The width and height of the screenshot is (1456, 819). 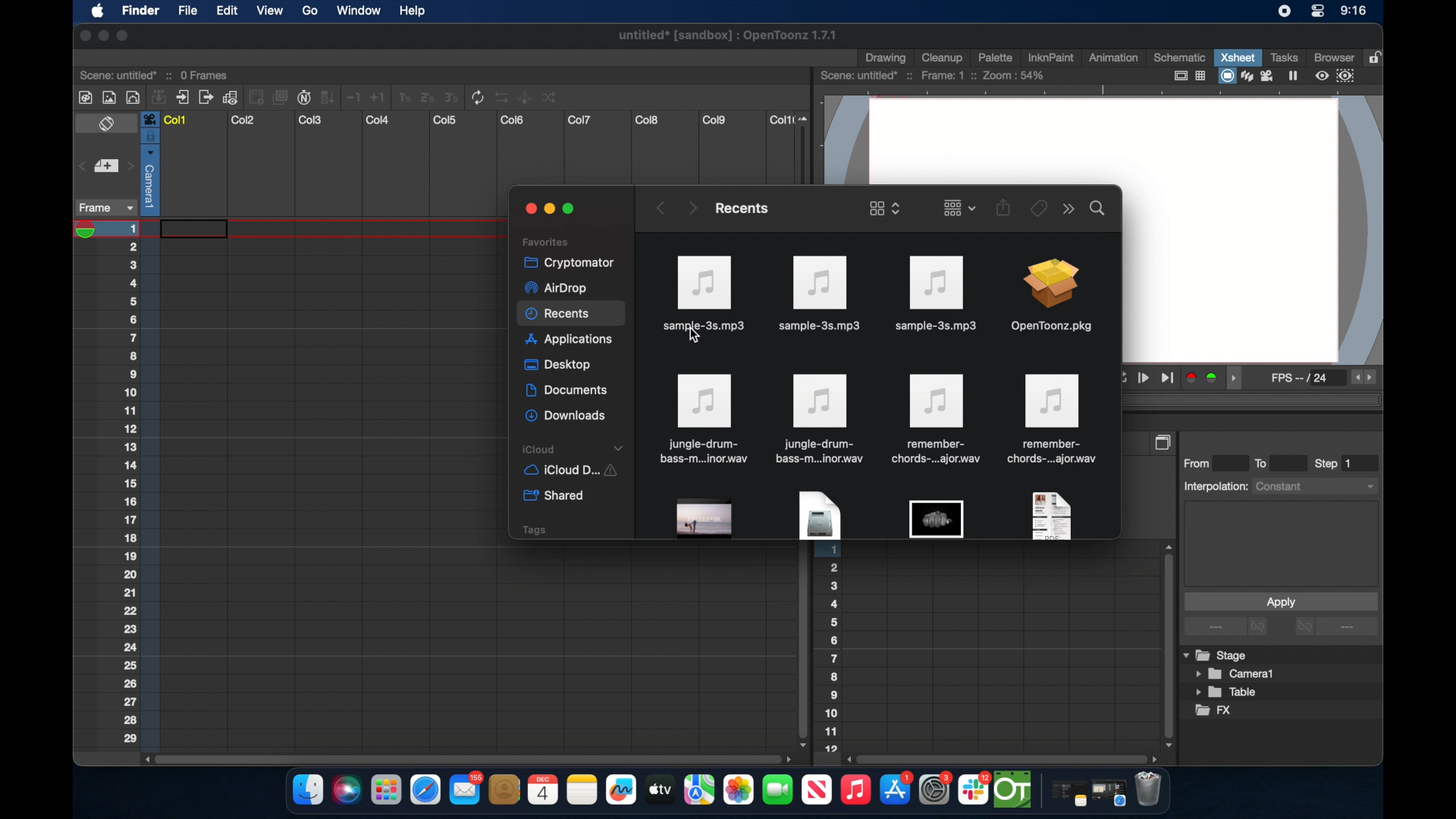 What do you see at coordinates (816, 790) in the screenshot?
I see `apple tv` at bounding box center [816, 790].